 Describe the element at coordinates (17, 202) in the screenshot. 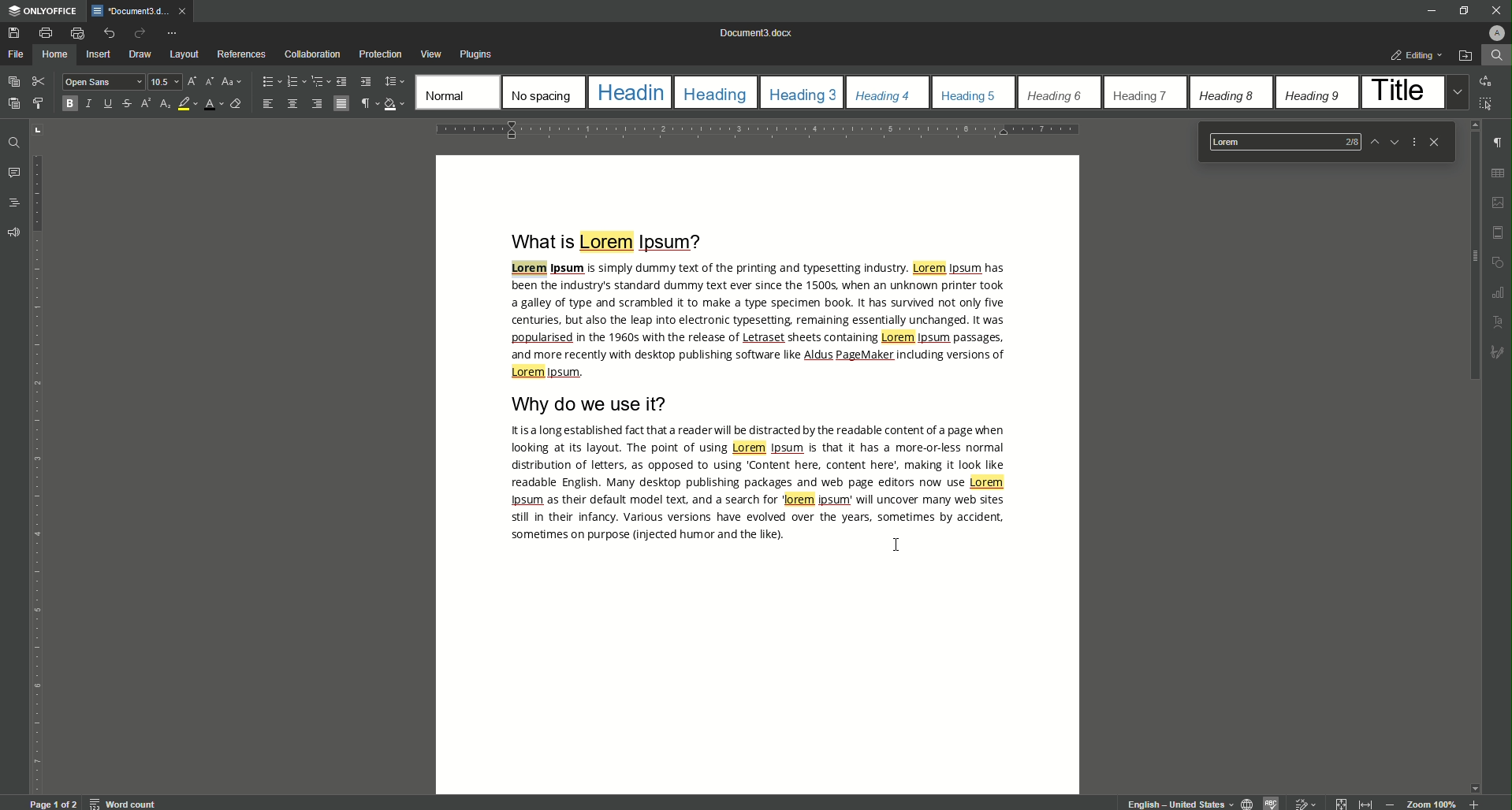

I see `Headings` at that location.